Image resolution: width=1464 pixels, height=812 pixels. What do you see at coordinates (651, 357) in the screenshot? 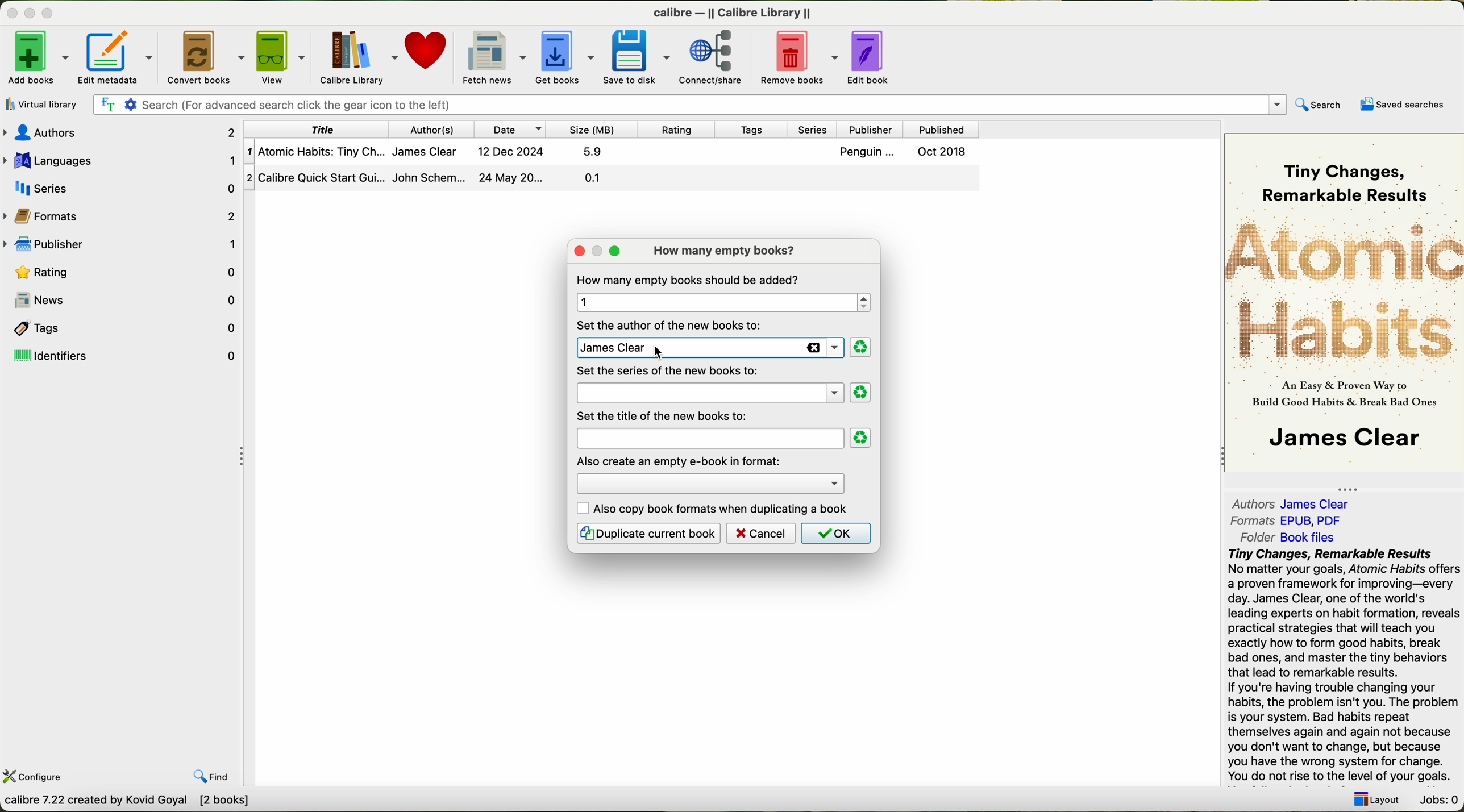
I see `cursor` at bounding box center [651, 357].